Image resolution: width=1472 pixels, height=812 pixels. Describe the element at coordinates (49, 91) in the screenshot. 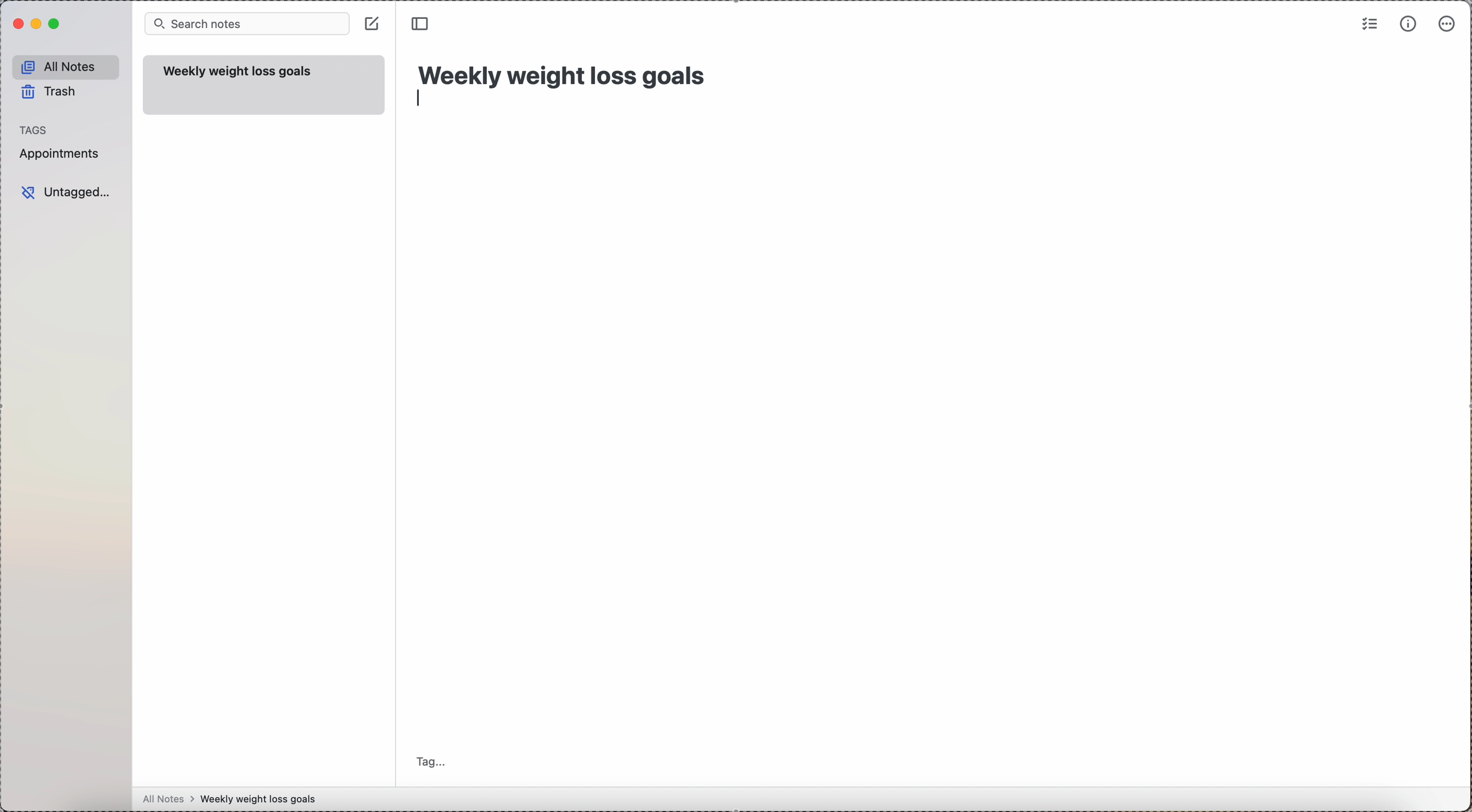

I see `trash` at that location.